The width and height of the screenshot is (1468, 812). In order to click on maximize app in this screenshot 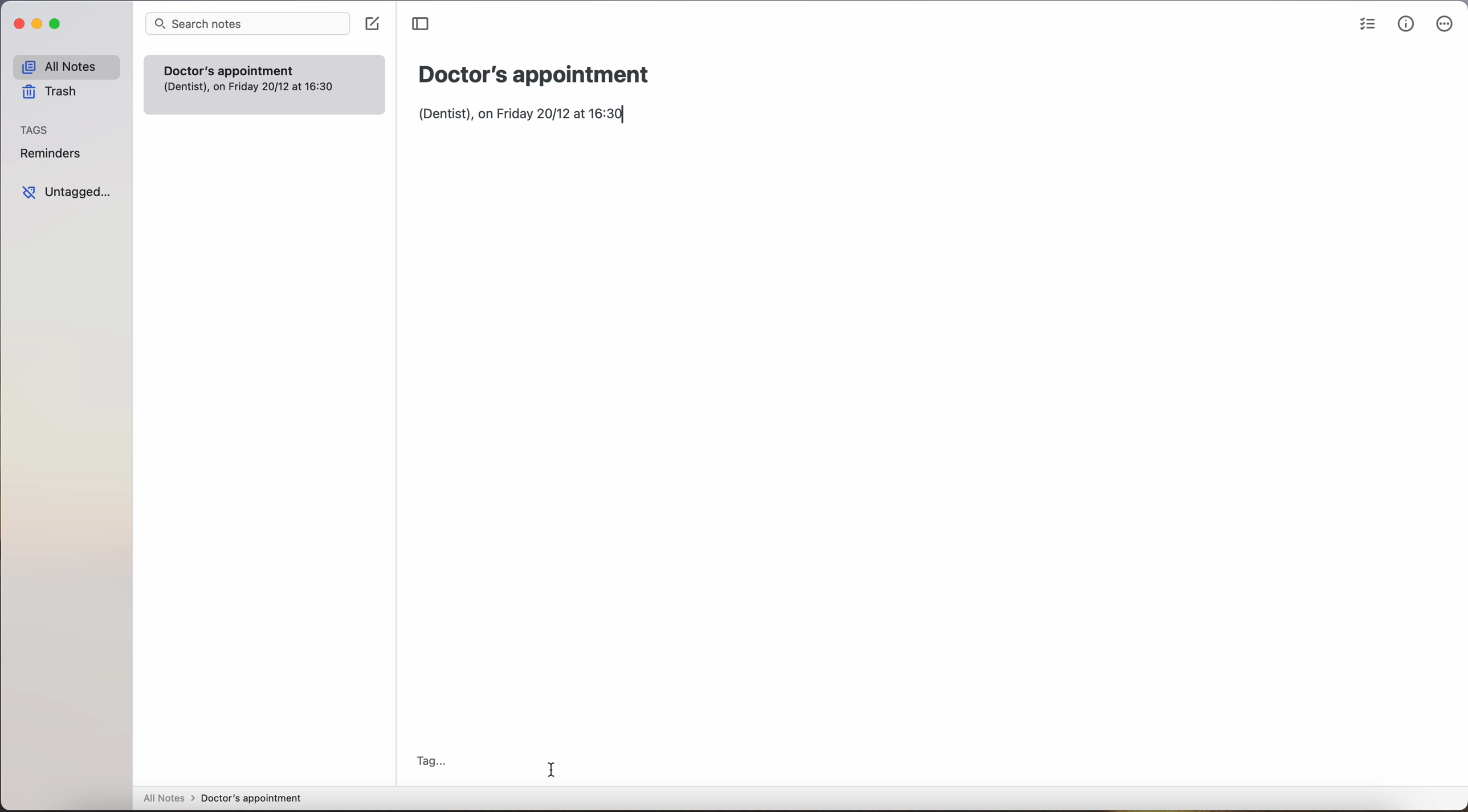, I will do `click(58, 24)`.